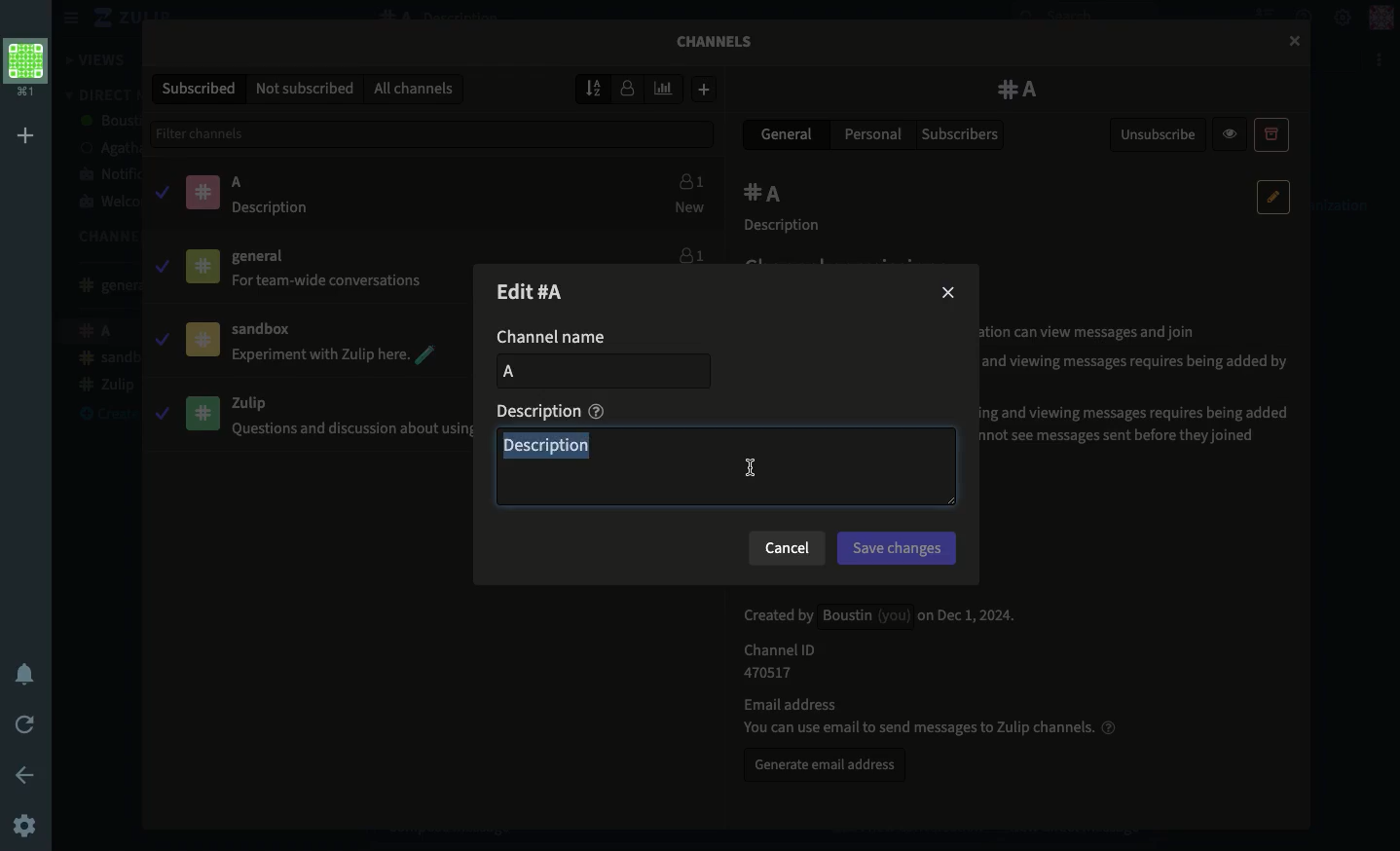 Image resolution: width=1400 pixels, height=851 pixels. I want to click on Edit channel, so click(546, 290).